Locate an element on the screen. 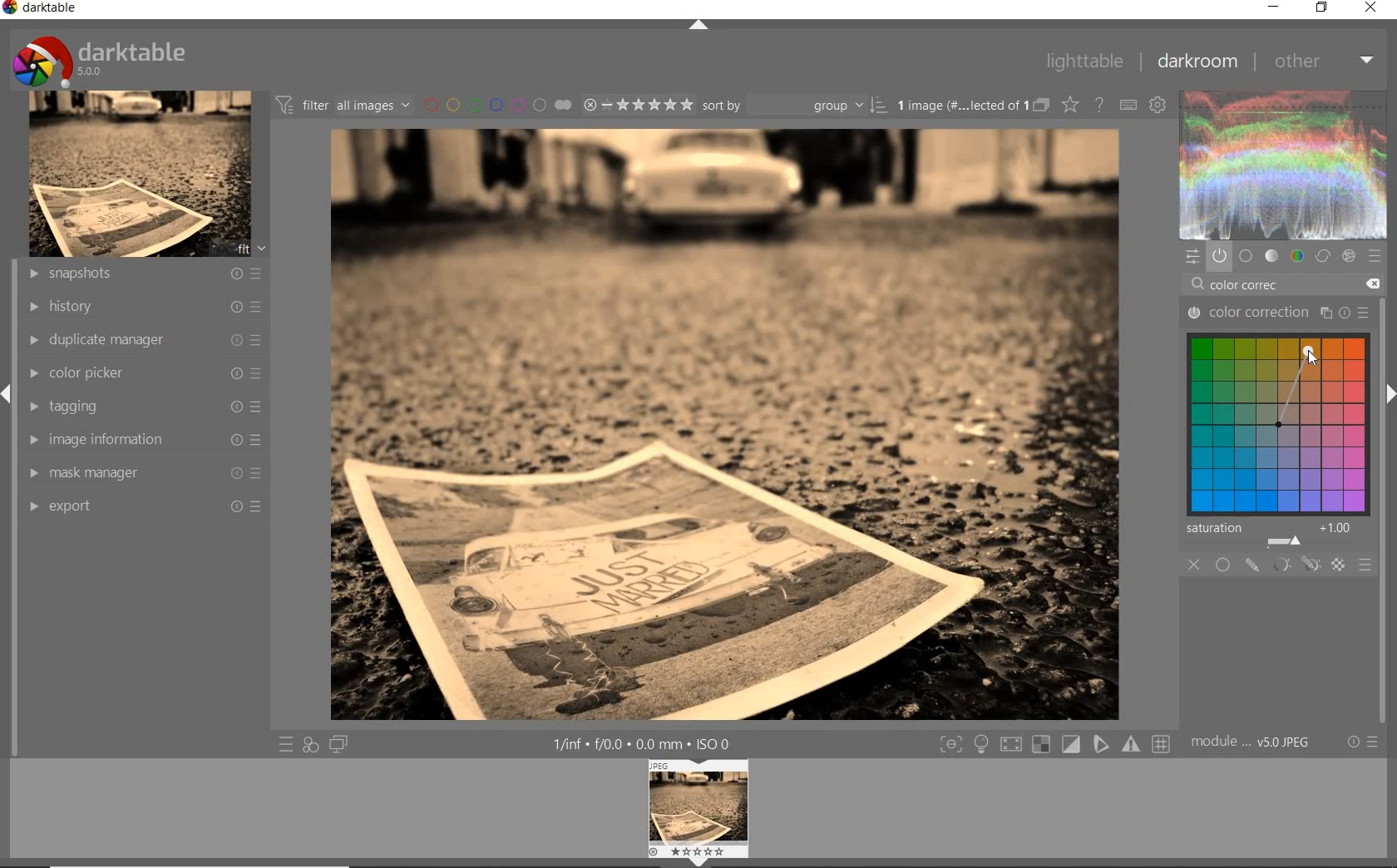  sort is located at coordinates (795, 105).